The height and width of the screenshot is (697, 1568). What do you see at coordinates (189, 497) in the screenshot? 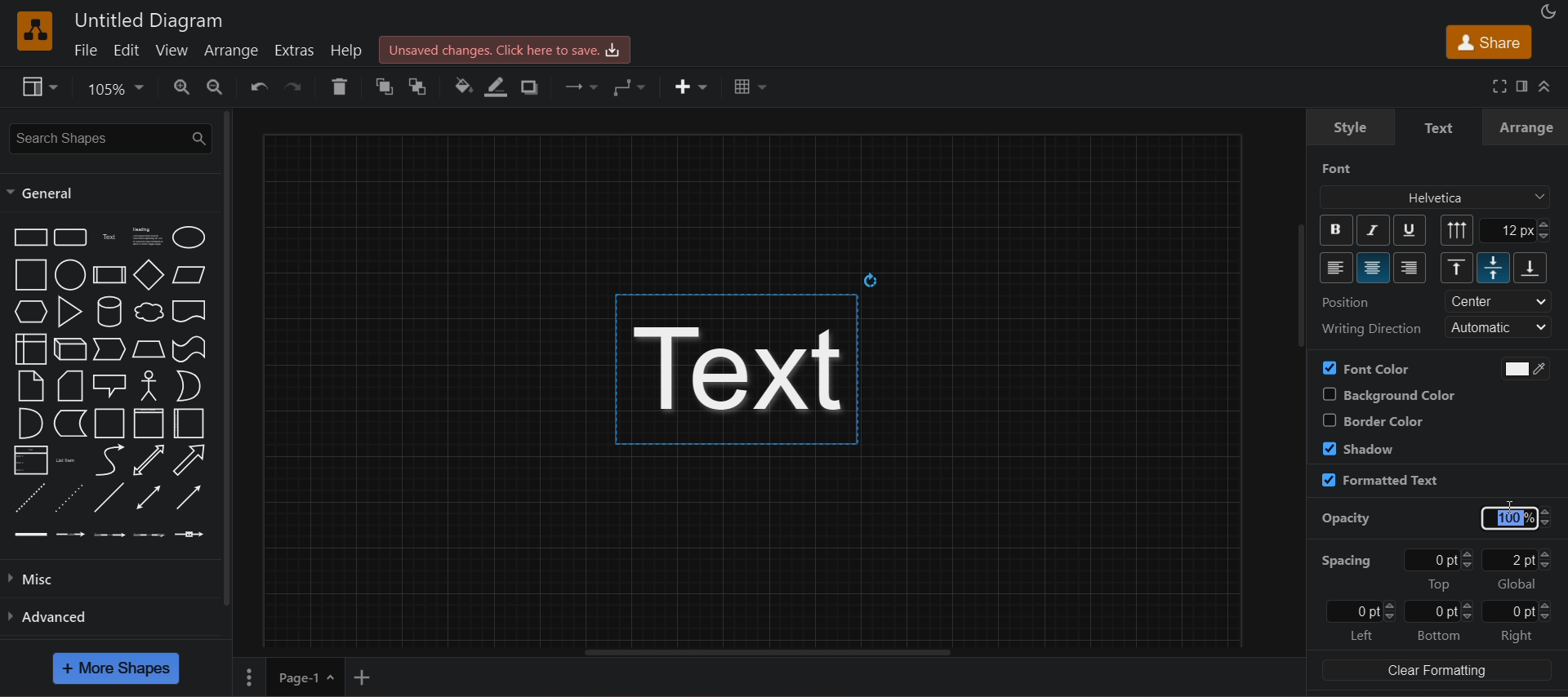
I see `directional connector` at bounding box center [189, 497].